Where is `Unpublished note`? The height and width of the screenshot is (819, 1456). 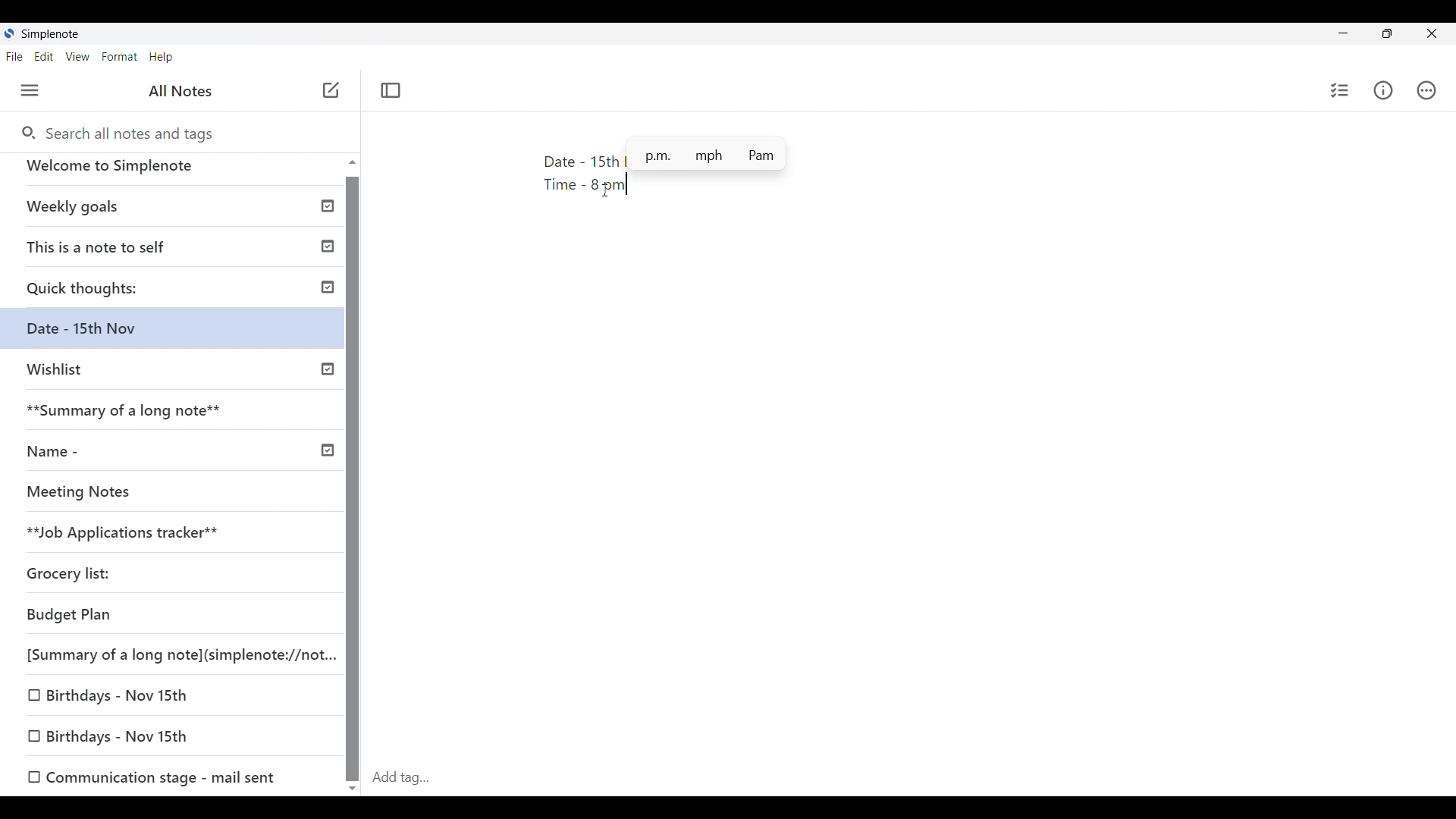
Unpublished note is located at coordinates (152, 775).